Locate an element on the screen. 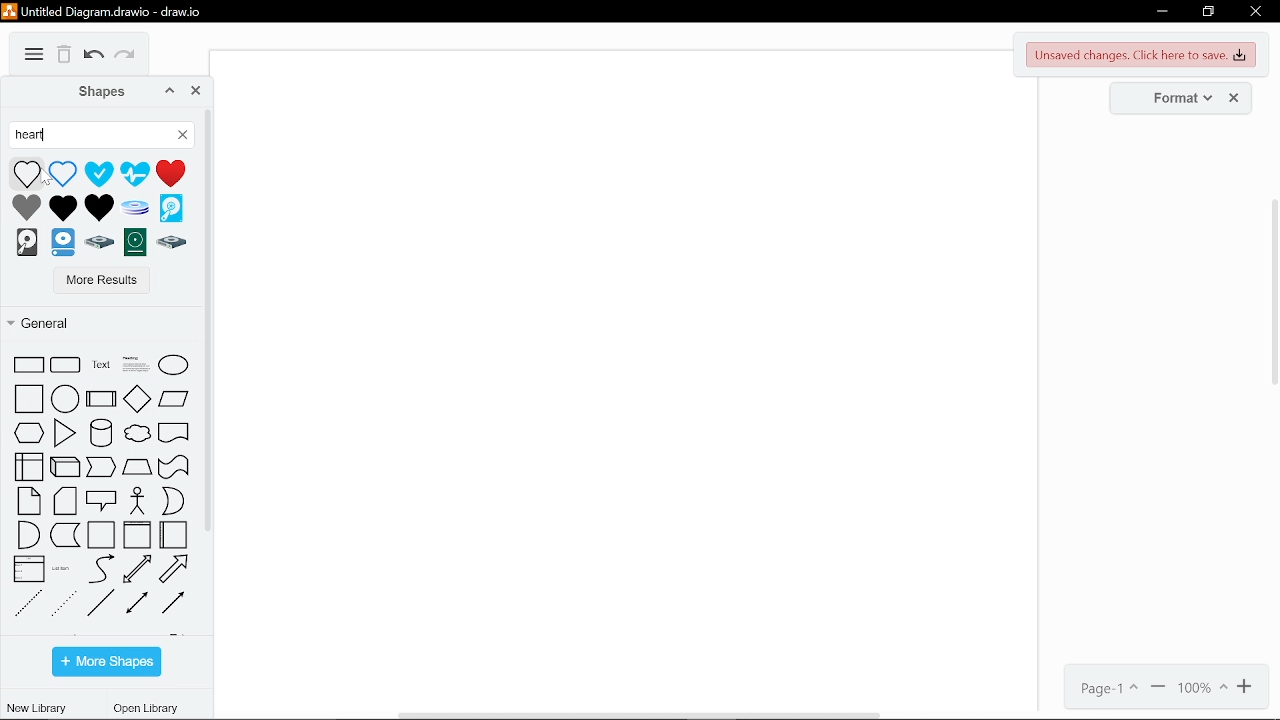 This screenshot has width=1280, height=720. dotted line is located at coordinates (64, 604).